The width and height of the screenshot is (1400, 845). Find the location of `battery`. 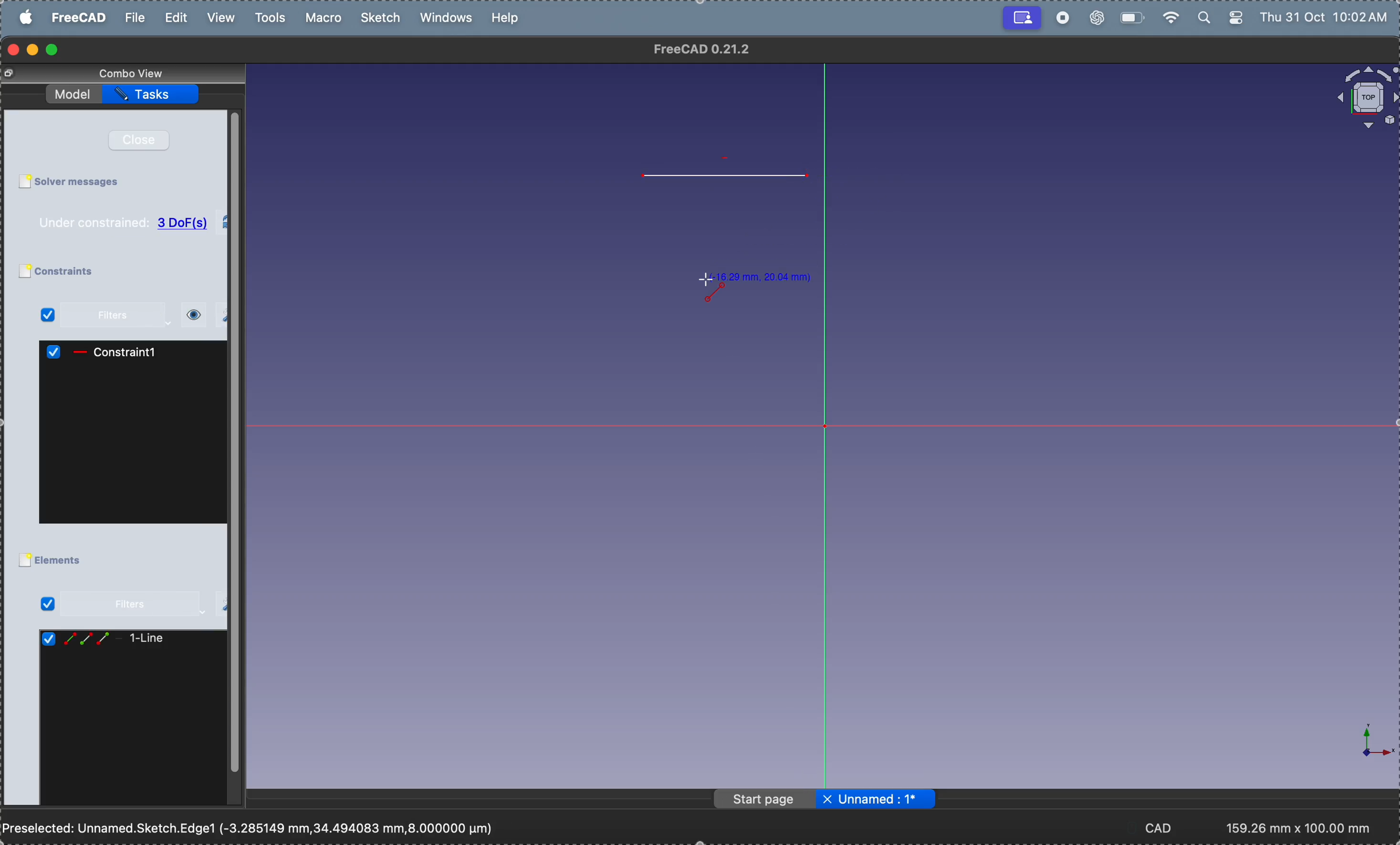

battery is located at coordinates (1130, 16).